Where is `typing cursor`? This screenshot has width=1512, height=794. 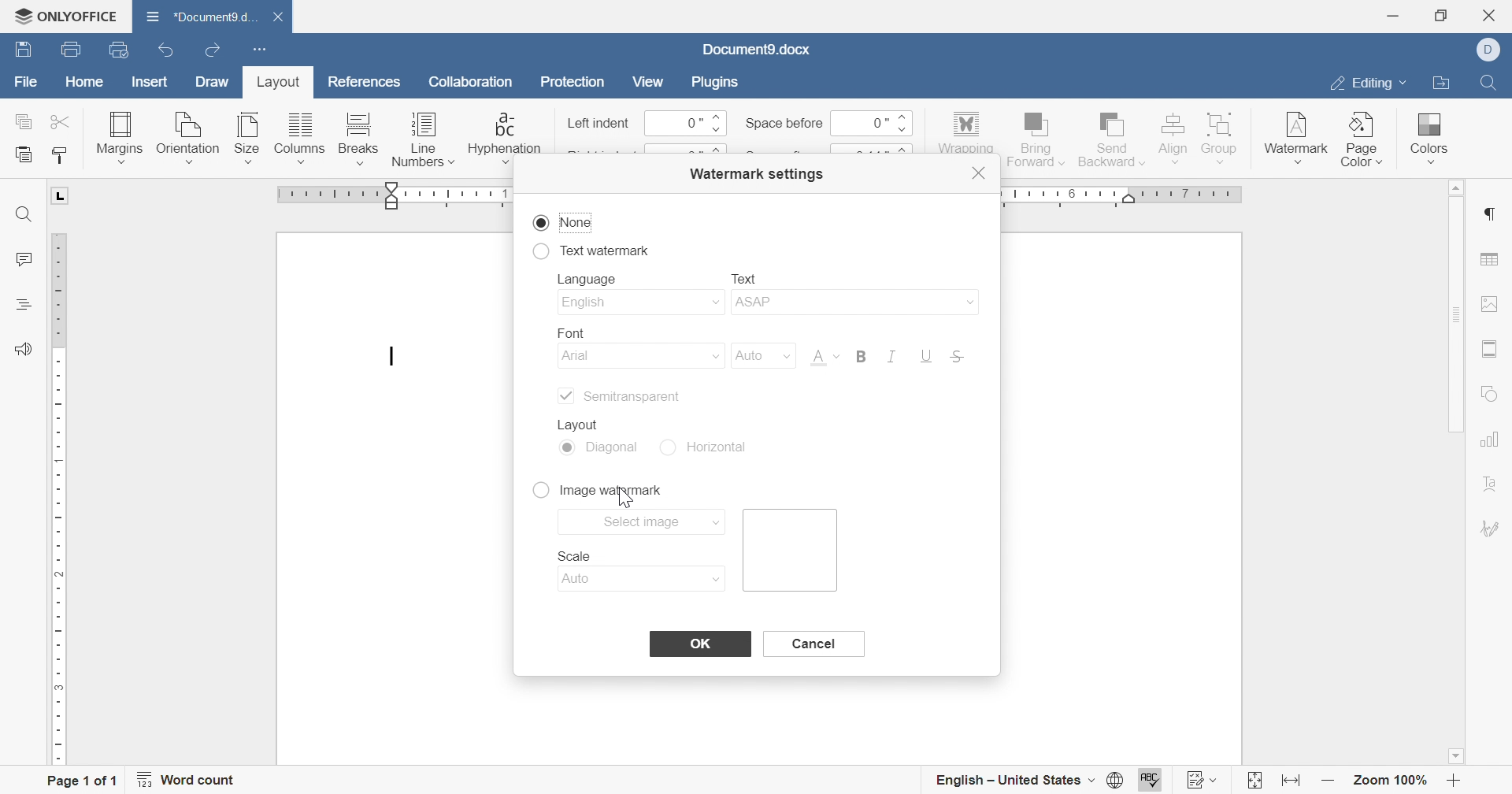
typing cursor is located at coordinates (392, 358).